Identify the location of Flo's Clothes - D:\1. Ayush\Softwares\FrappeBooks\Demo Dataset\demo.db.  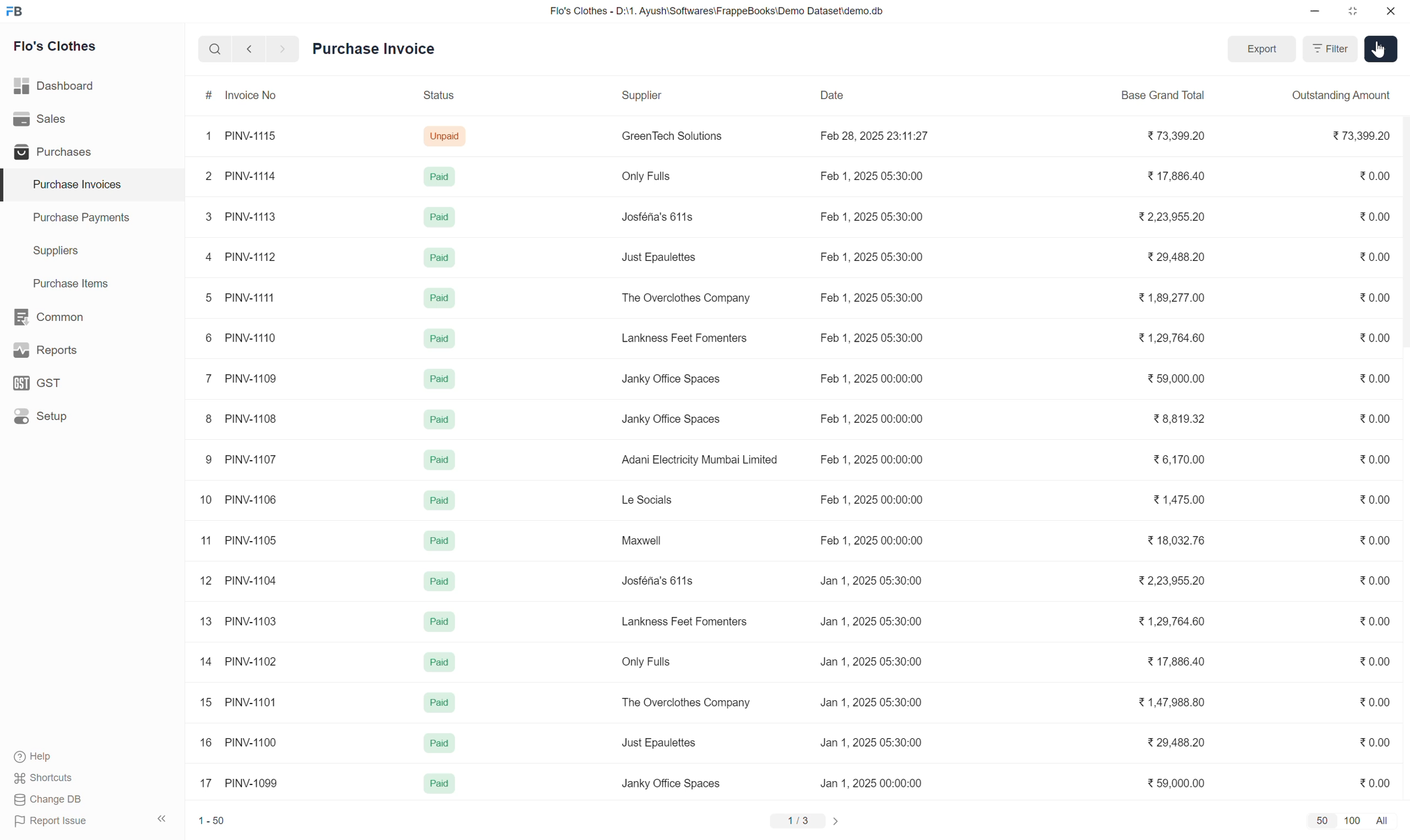
(716, 11).